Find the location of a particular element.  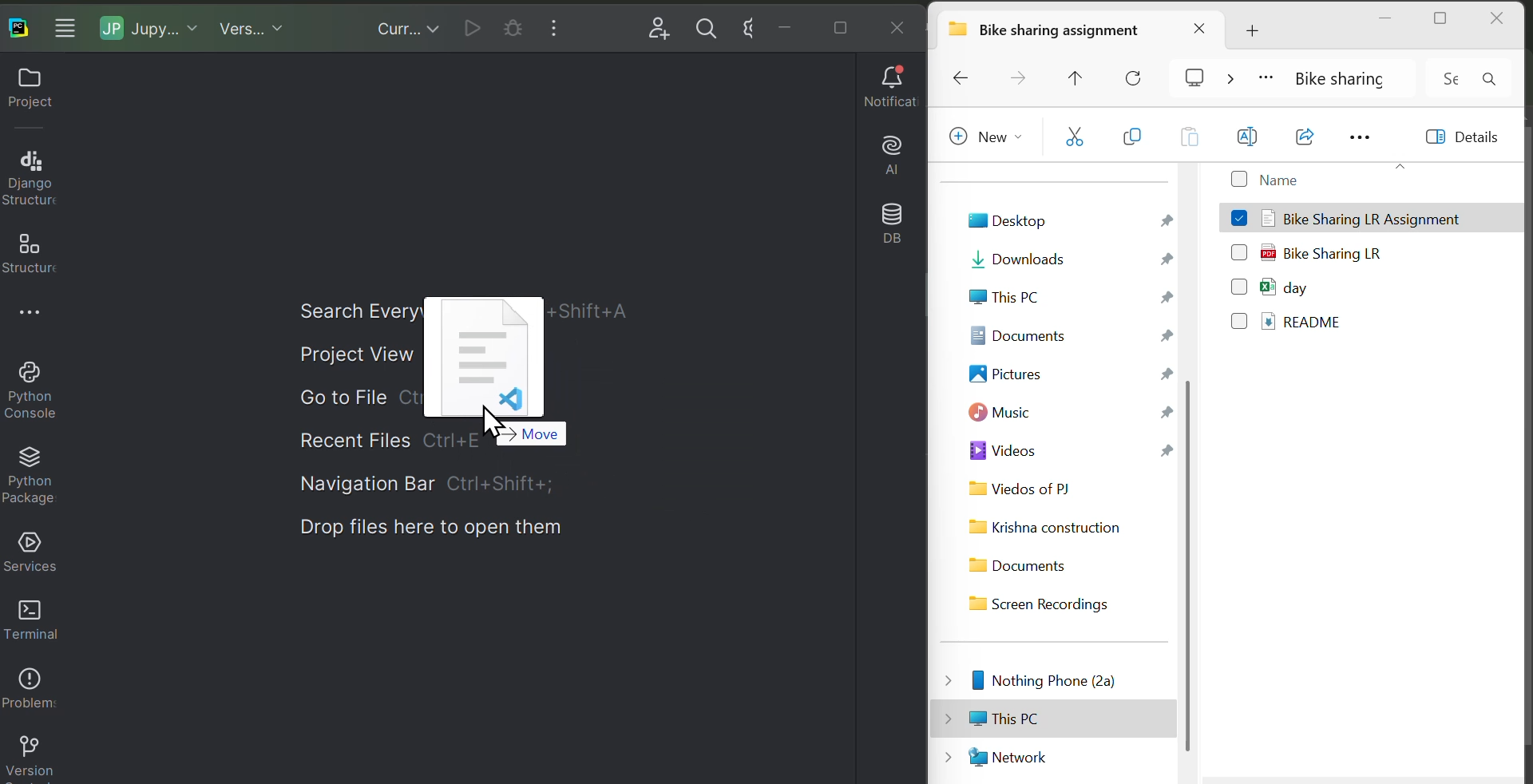

New is located at coordinates (985, 140).